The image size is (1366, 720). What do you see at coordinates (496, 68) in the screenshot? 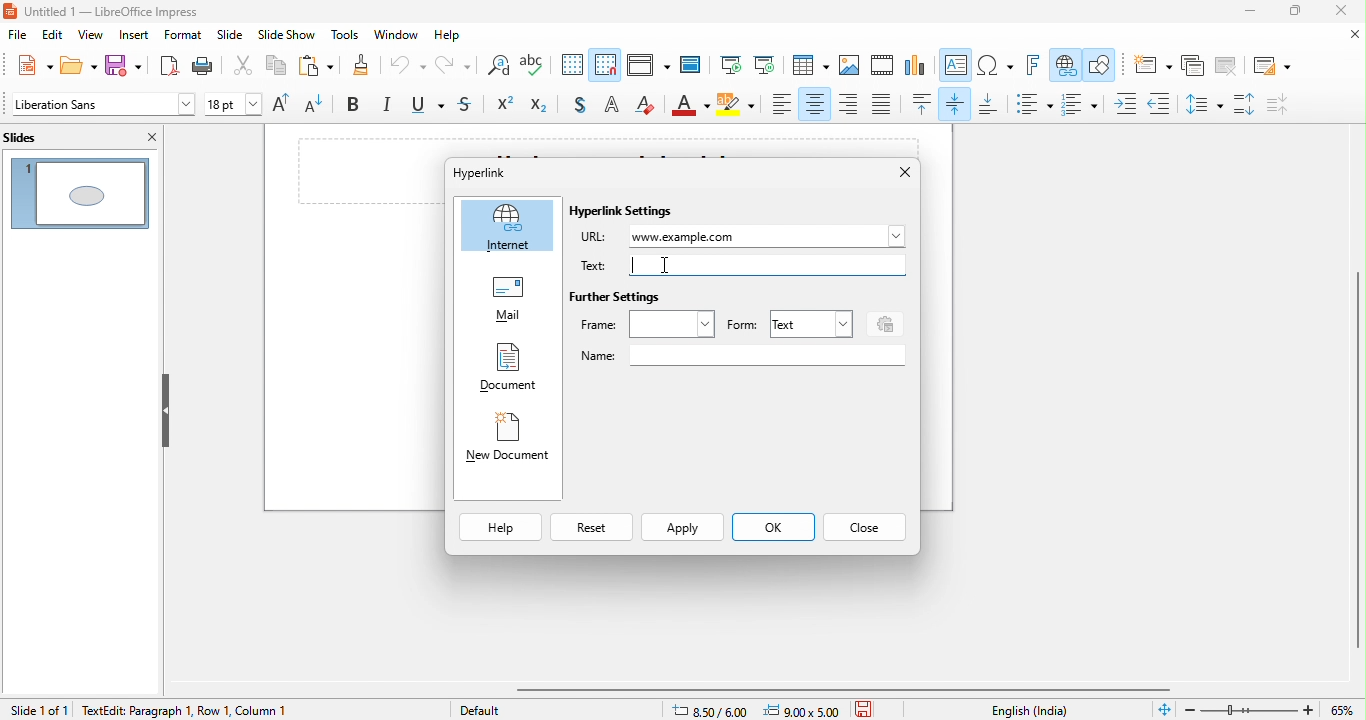
I see `find and replace` at bounding box center [496, 68].